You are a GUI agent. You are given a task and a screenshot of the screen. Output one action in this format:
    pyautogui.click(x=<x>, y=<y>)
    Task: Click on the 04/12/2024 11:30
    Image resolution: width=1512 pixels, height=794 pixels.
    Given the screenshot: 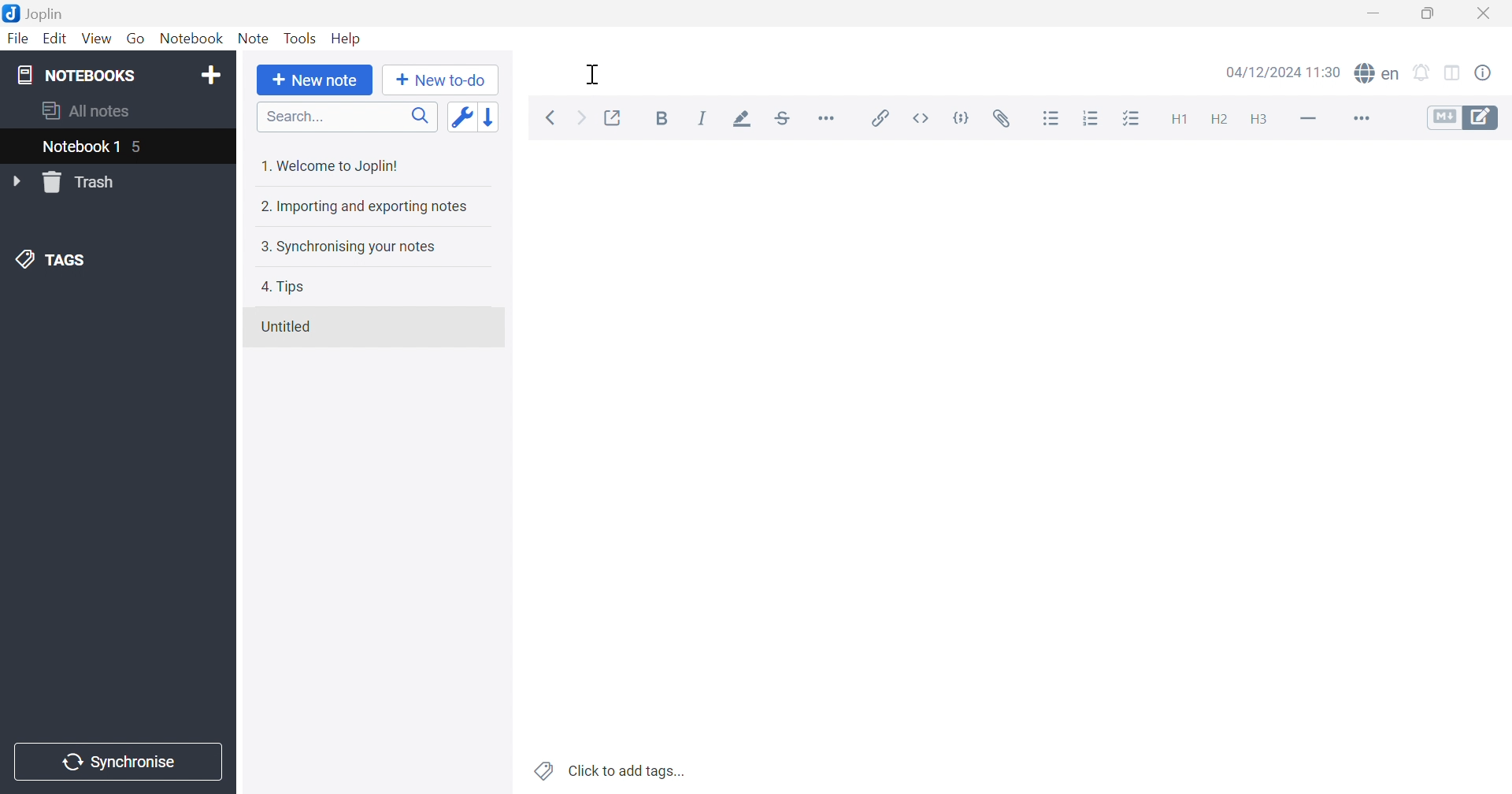 What is the action you would take?
    pyautogui.click(x=1283, y=71)
    